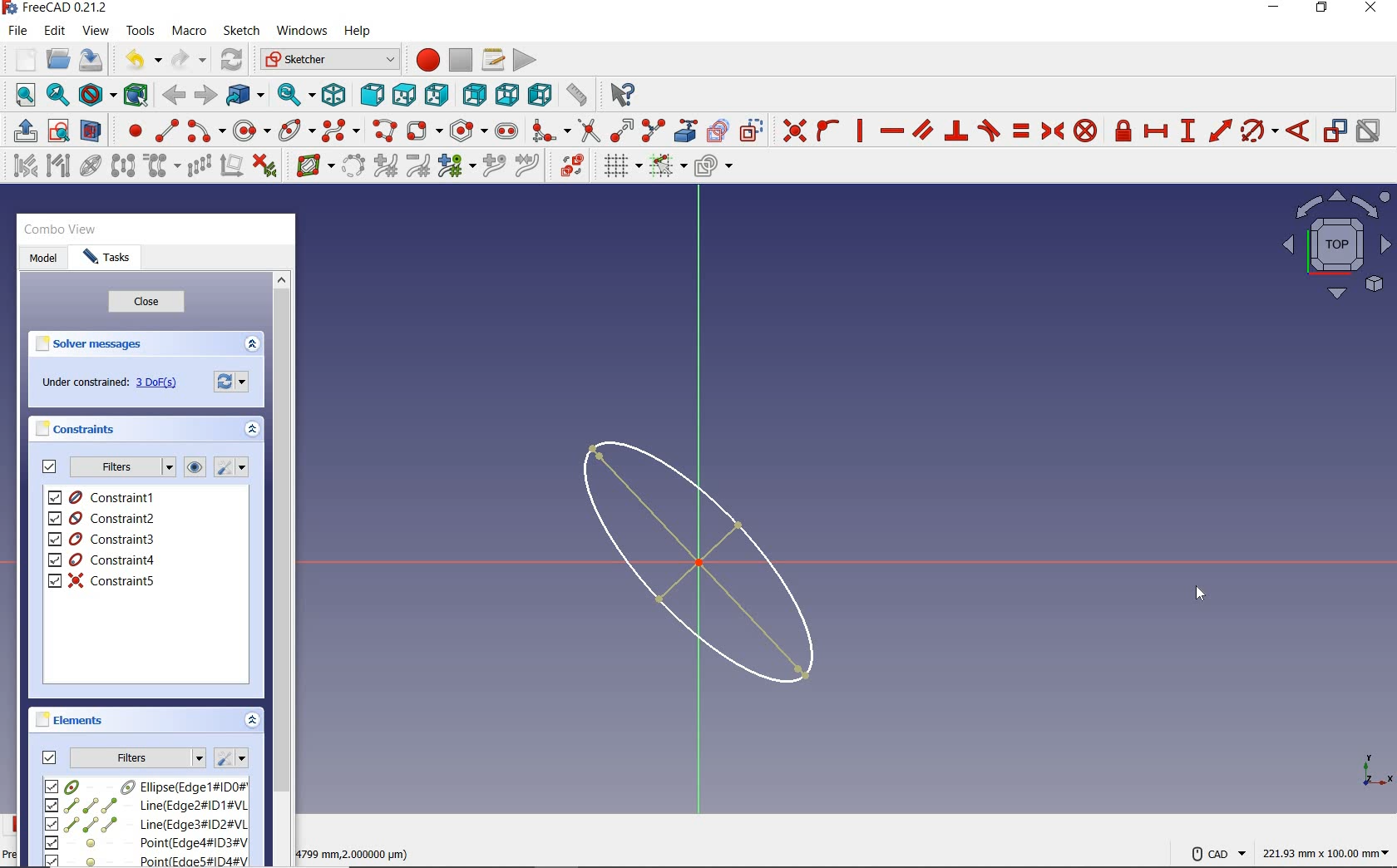  Describe the element at coordinates (790, 131) in the screenshot. I see `constrain coincident` at that location.